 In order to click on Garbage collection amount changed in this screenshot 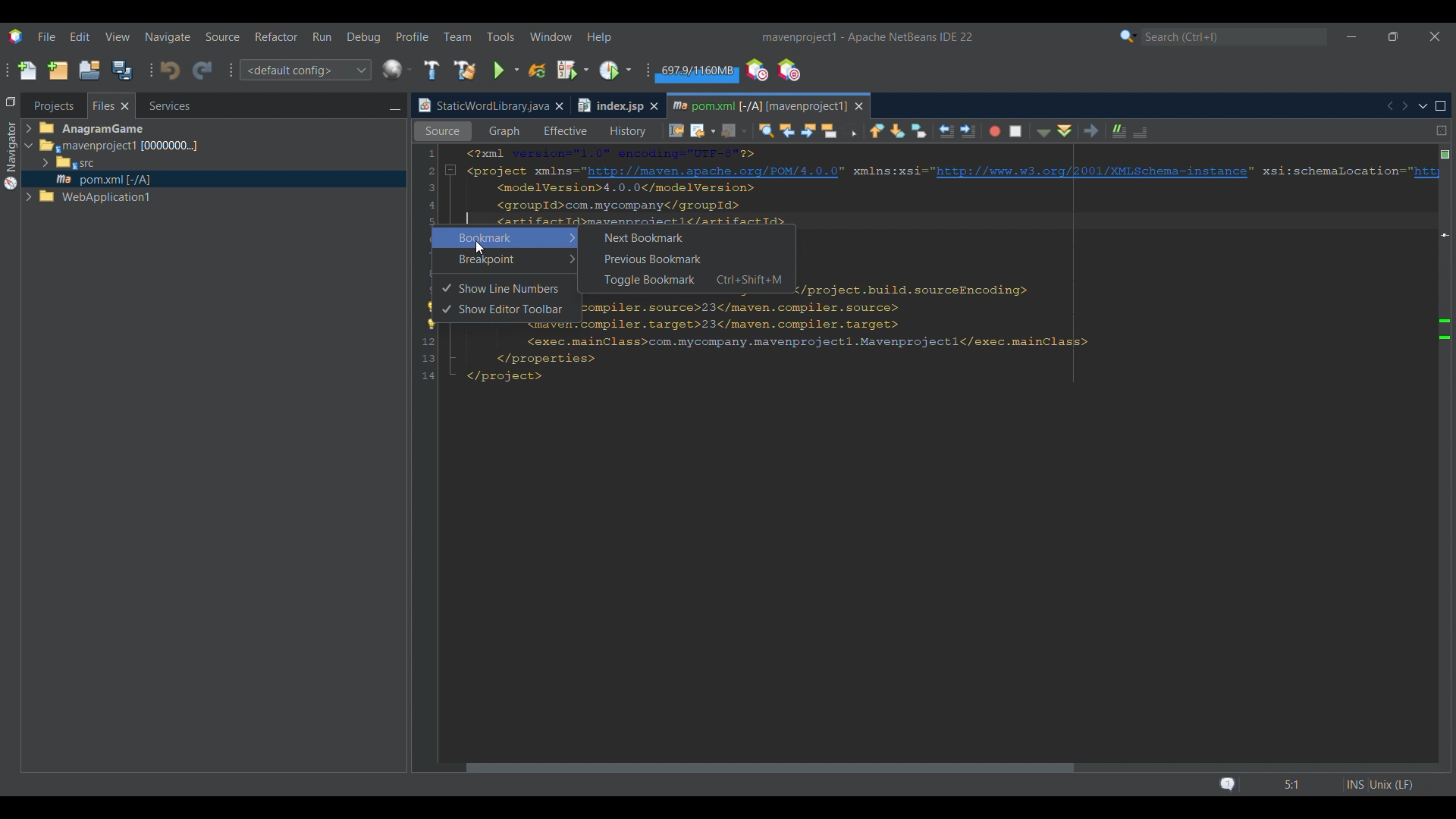, I will do `click(696, 74)`.